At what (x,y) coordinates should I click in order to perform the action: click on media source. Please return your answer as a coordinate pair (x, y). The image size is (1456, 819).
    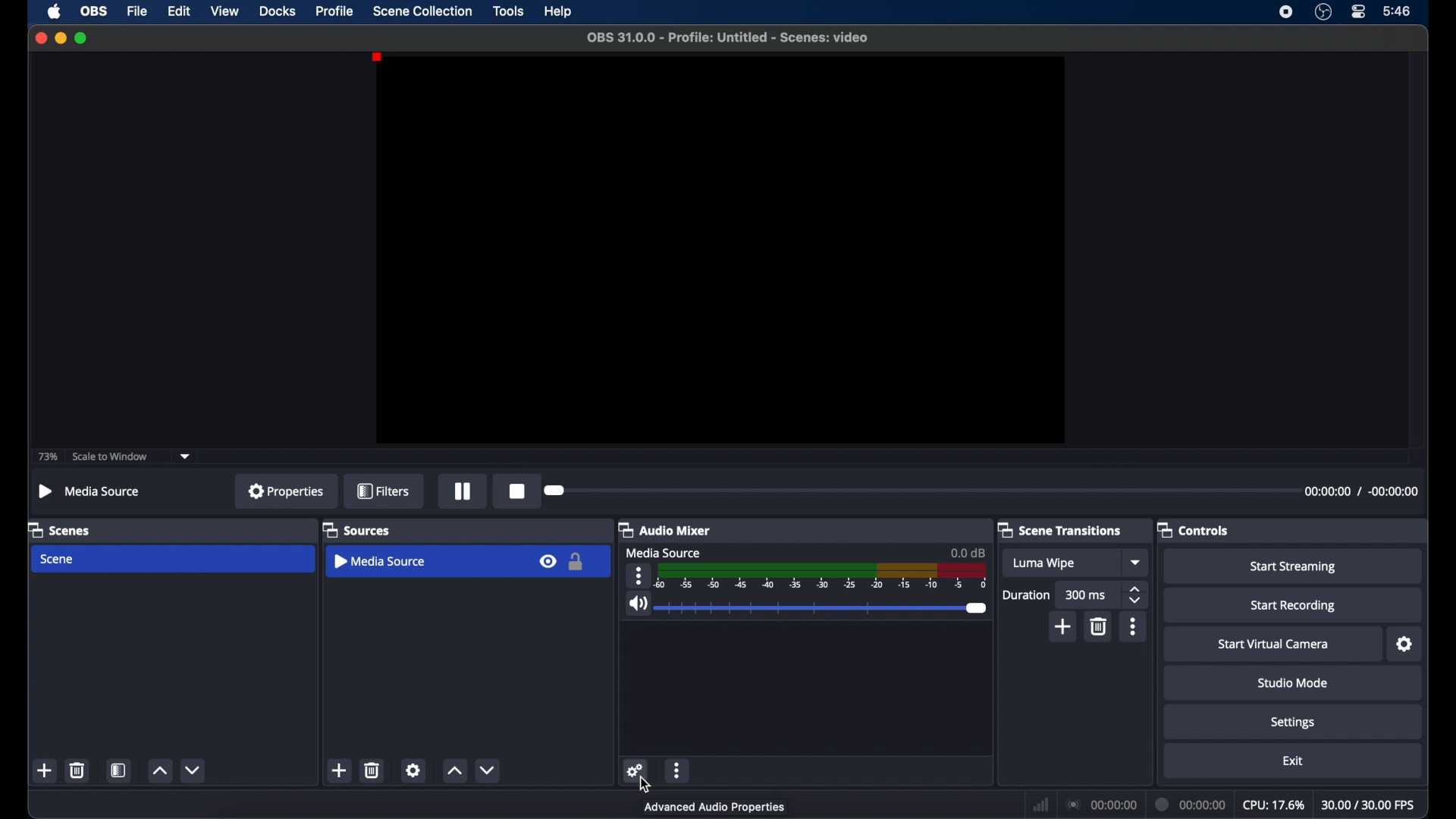
    Looking at the image, I should click on (90, 491).